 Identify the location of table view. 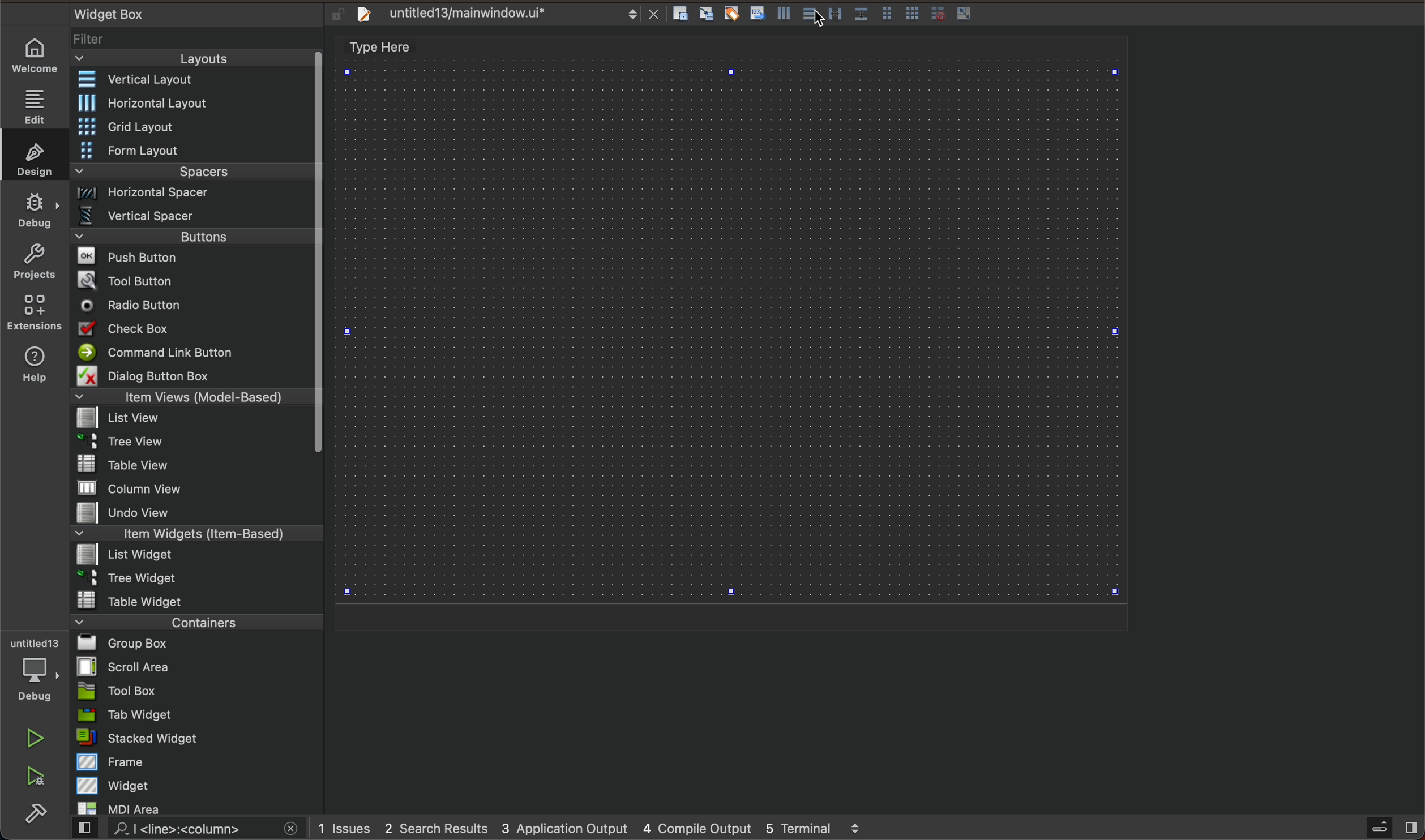
(191, 465).